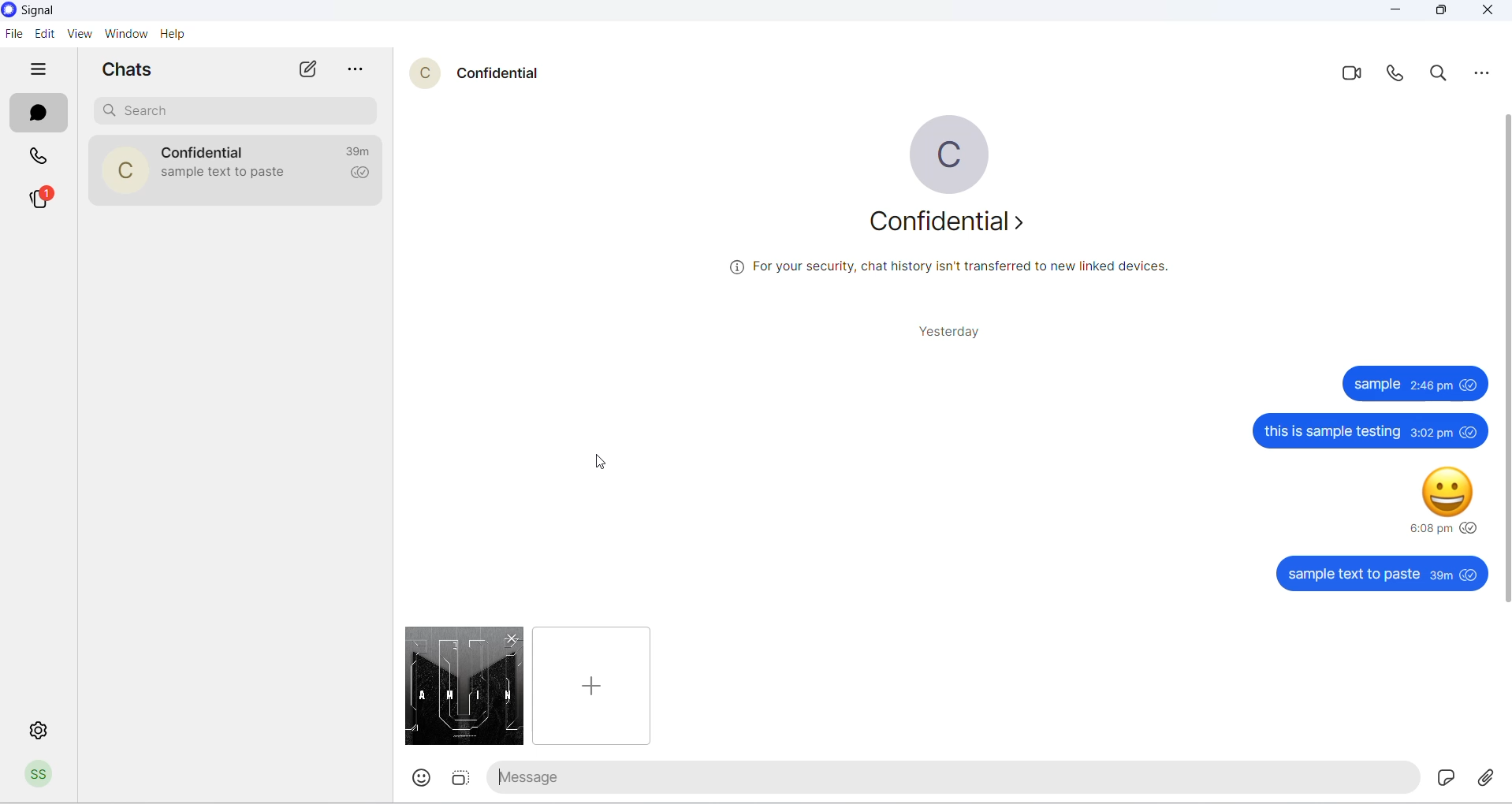 The width and height of the screenshot is (1512, 804). What do you see at coordinates (173, 35) in the screenshot?
I see `Help` at bounding box center [173, 35].